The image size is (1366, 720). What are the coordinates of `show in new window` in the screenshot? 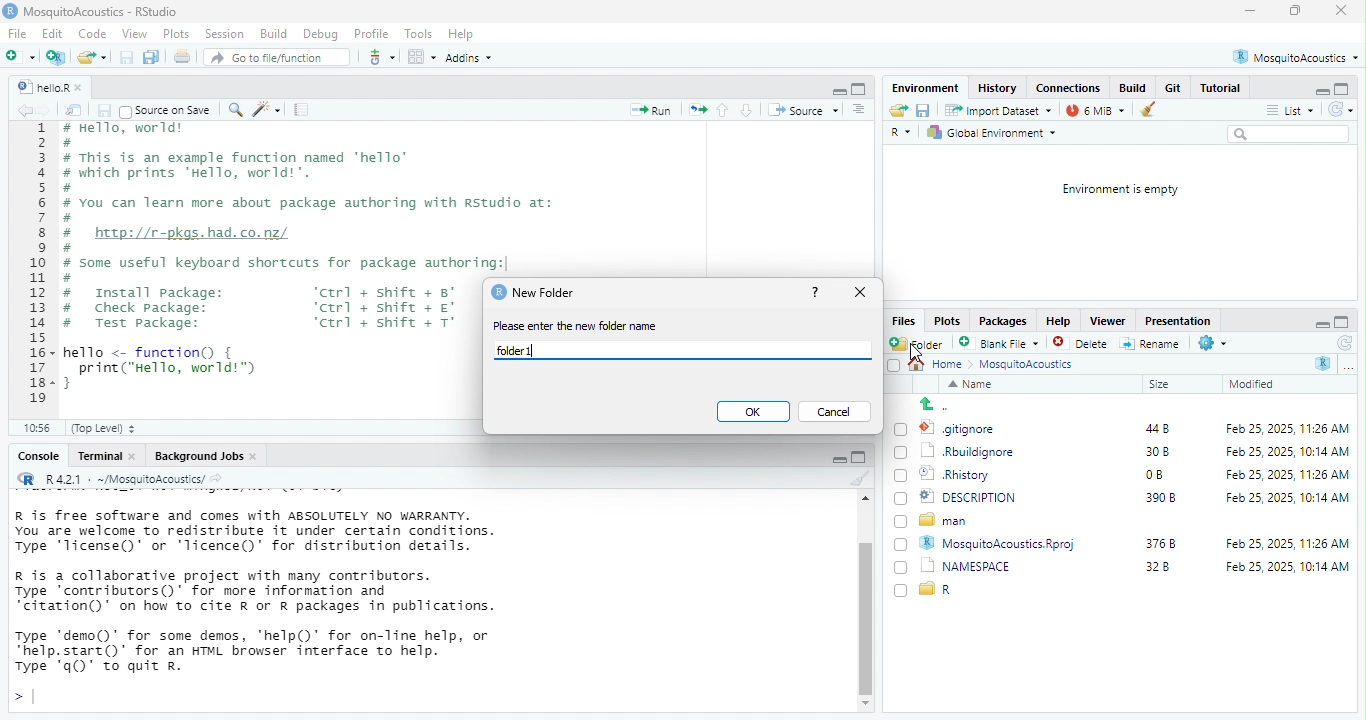 It's located at (77, 110).